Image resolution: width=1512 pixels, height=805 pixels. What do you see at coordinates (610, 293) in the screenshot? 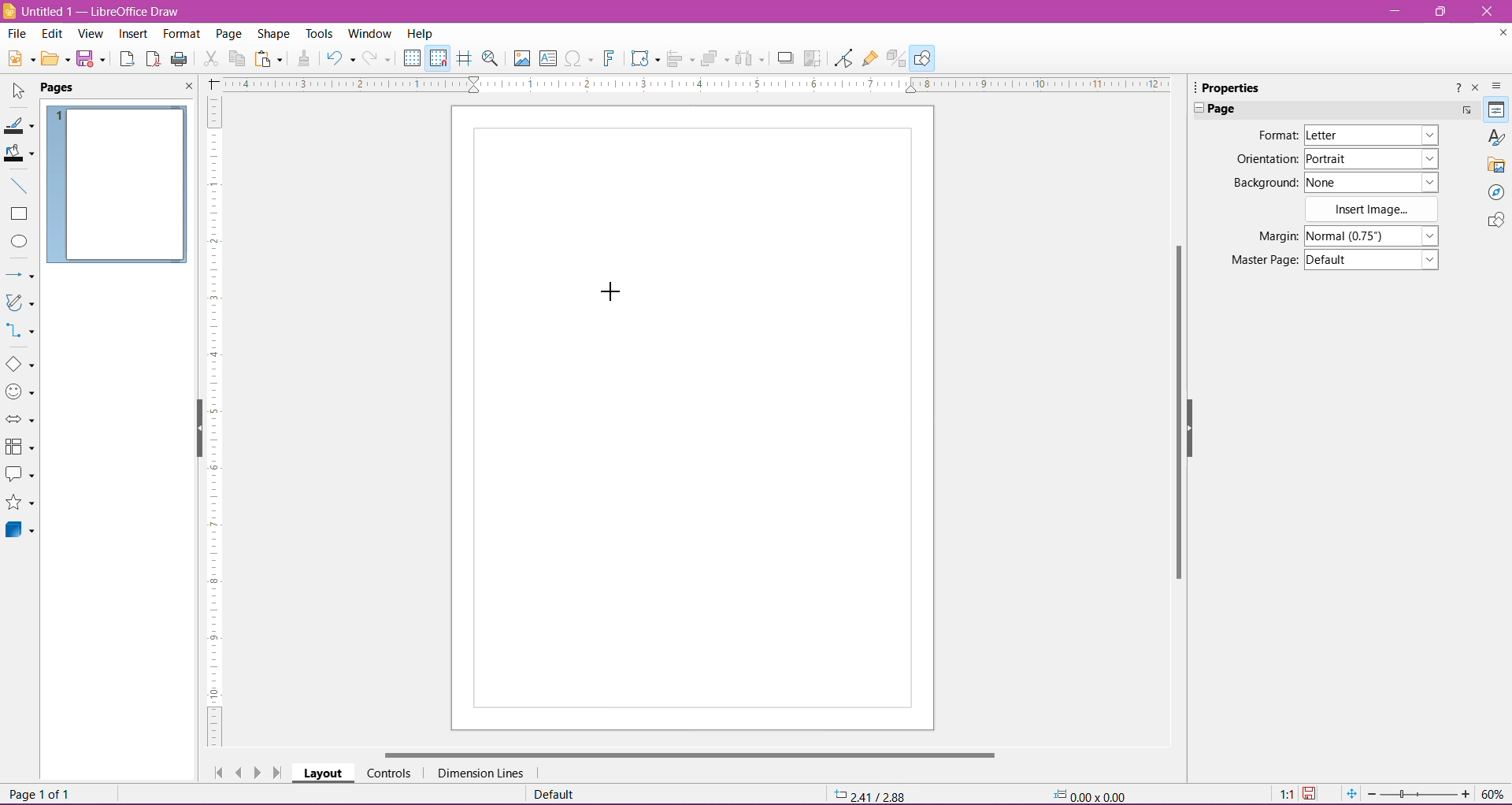
I see `Draw Cube shape cursor` at bounding box center [610, 293].